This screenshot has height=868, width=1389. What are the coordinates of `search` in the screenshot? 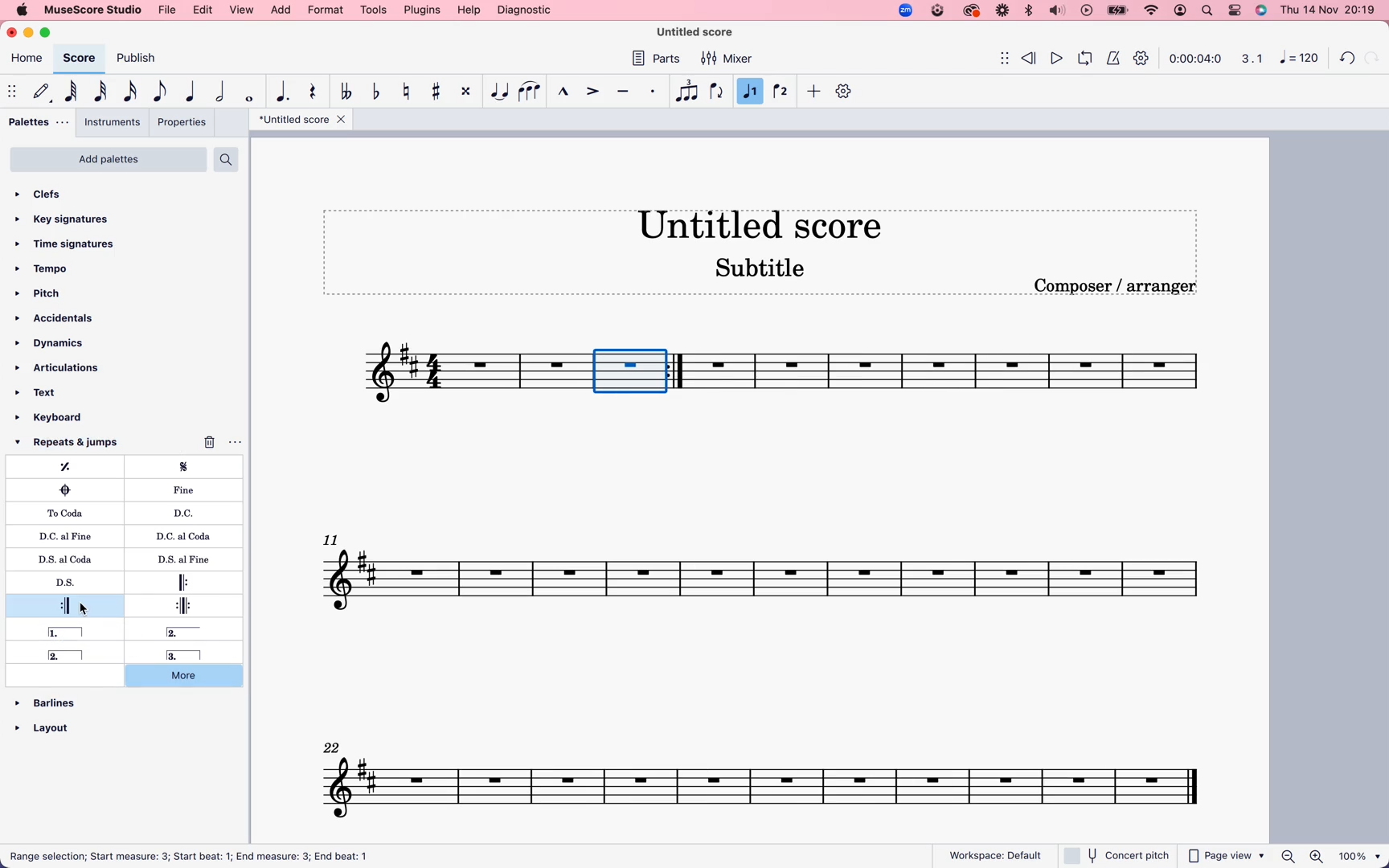 It's located at (1208, 10).